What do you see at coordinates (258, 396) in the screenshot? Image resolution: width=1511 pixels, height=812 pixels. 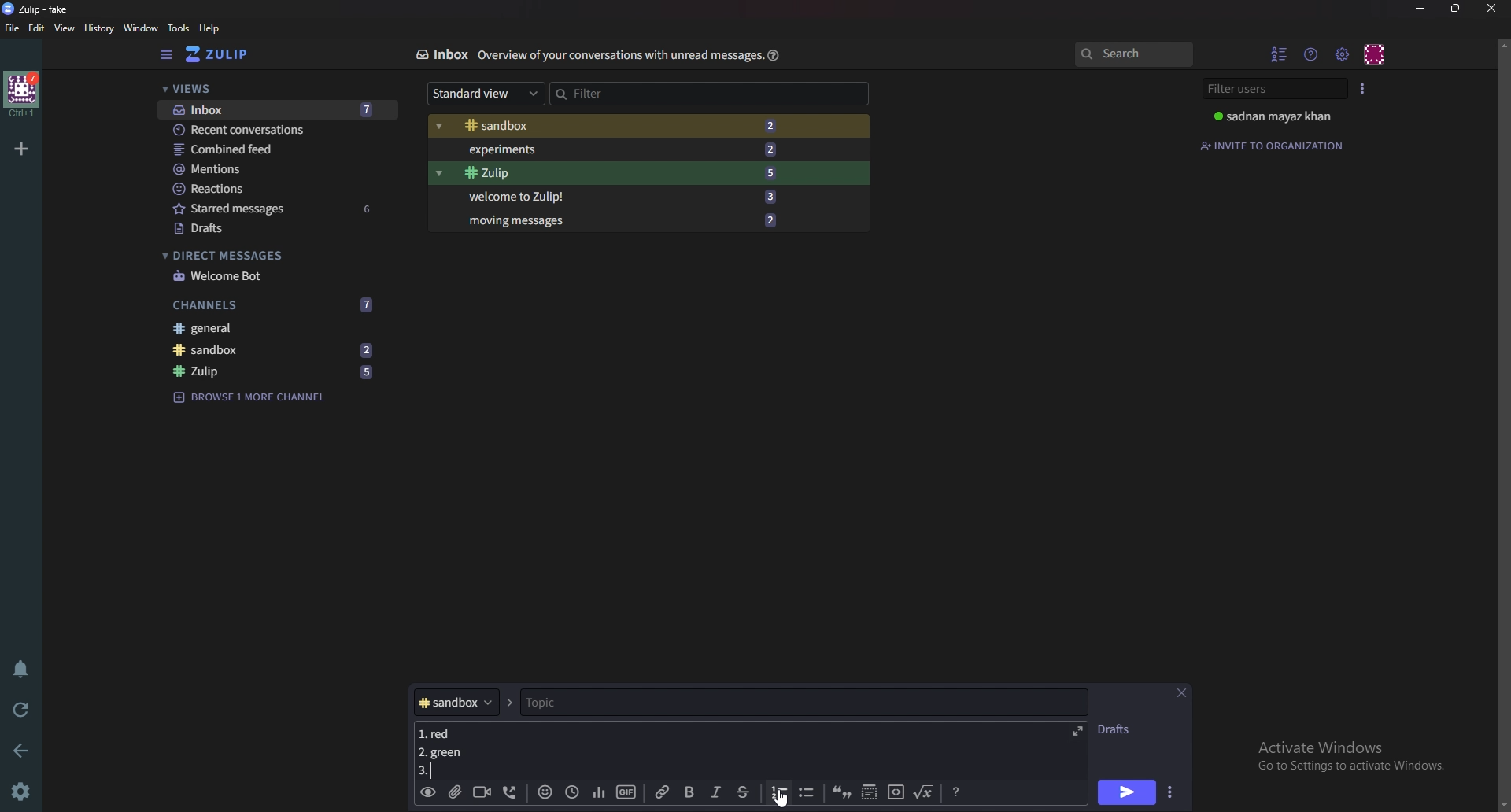 I see `Browse channel` at bounding box center [258, 396].